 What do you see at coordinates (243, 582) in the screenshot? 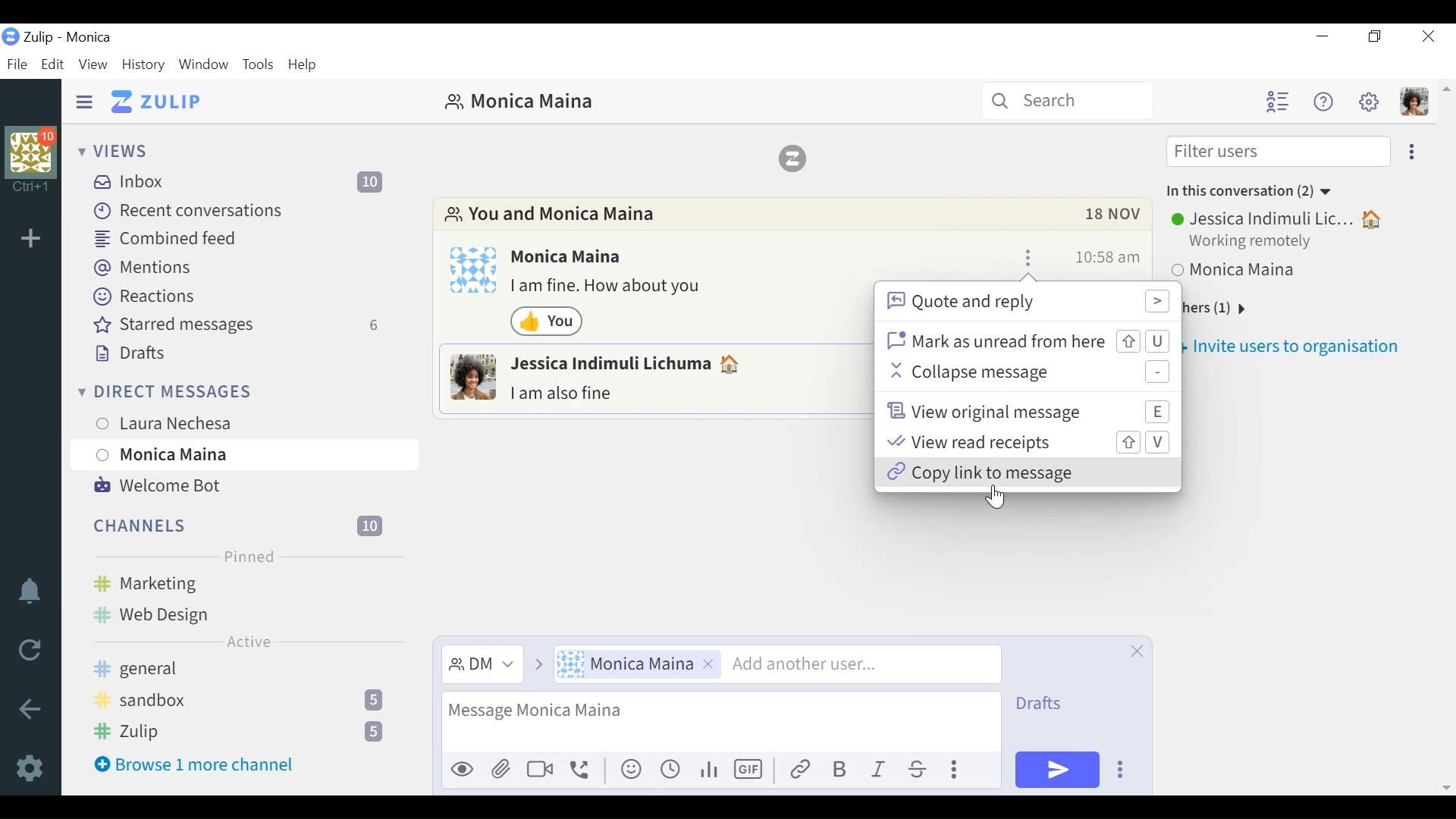
I see `Marketing` at bounding box center [243, 582].